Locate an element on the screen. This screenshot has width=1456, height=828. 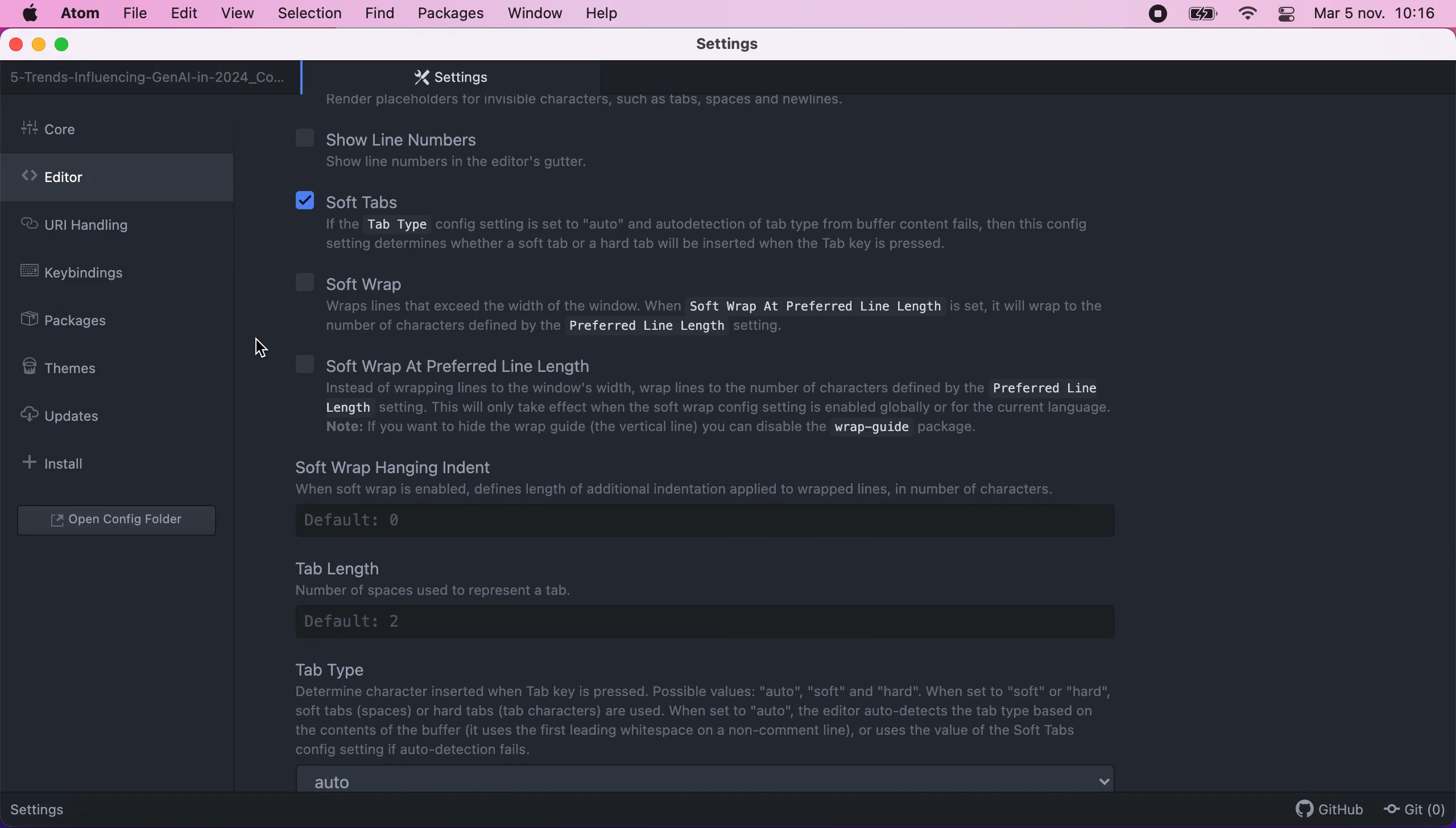
selection is located at coordinates (311, 14).